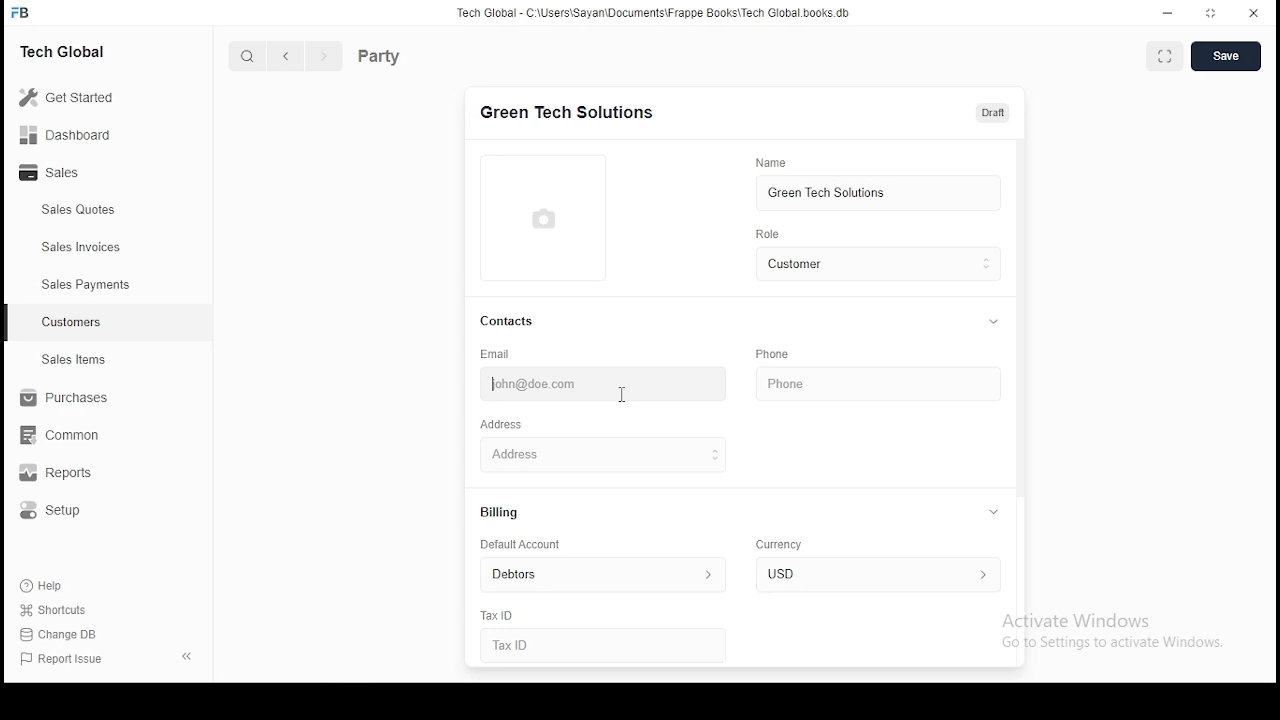 This screenshot has width=1280, height=720. Describe the element at coordinates (248, 55) in the screenshot. I see `search` at that location.